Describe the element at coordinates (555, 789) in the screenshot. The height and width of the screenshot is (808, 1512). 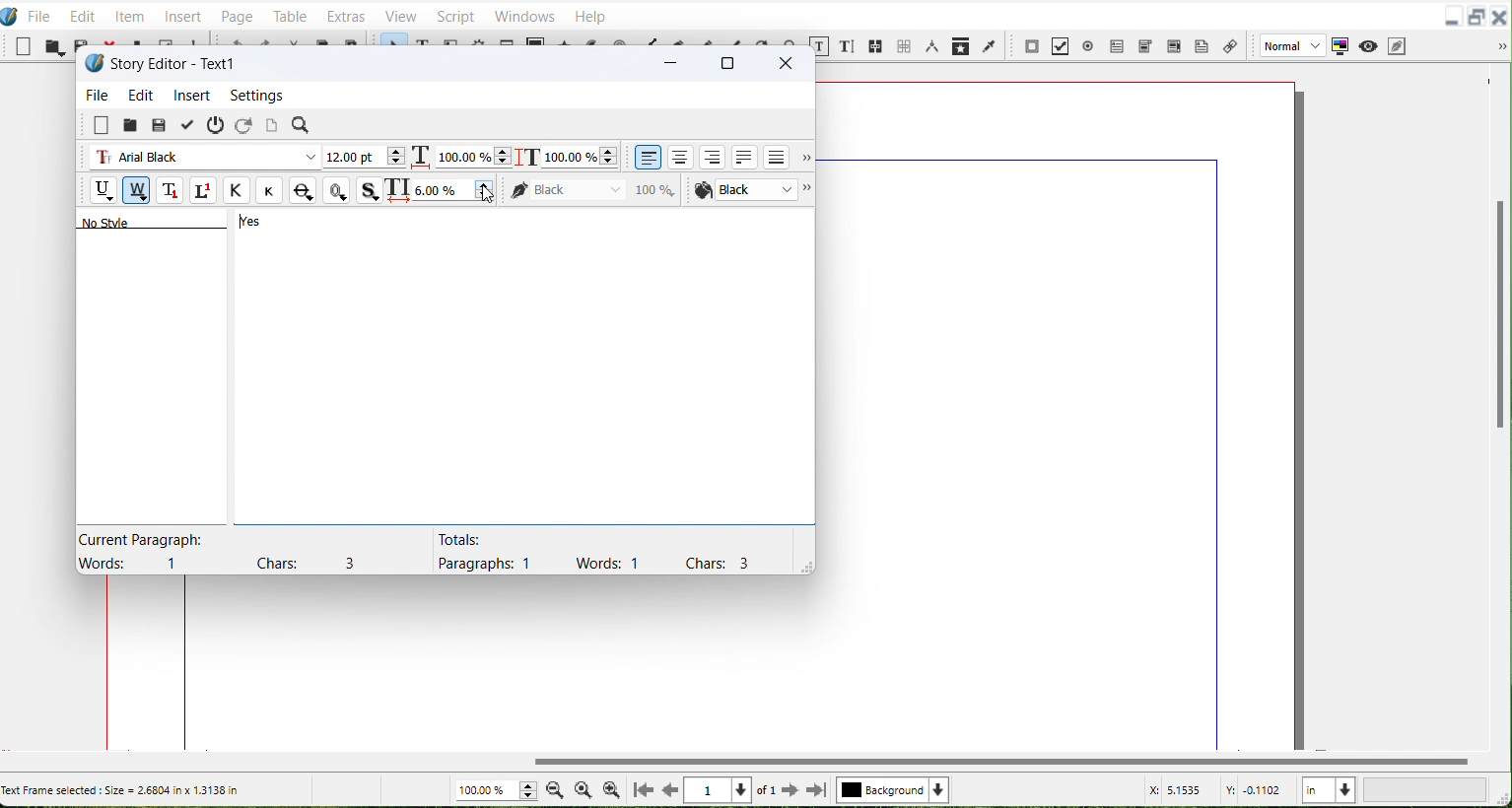
I see `Zoom Out` at that location.